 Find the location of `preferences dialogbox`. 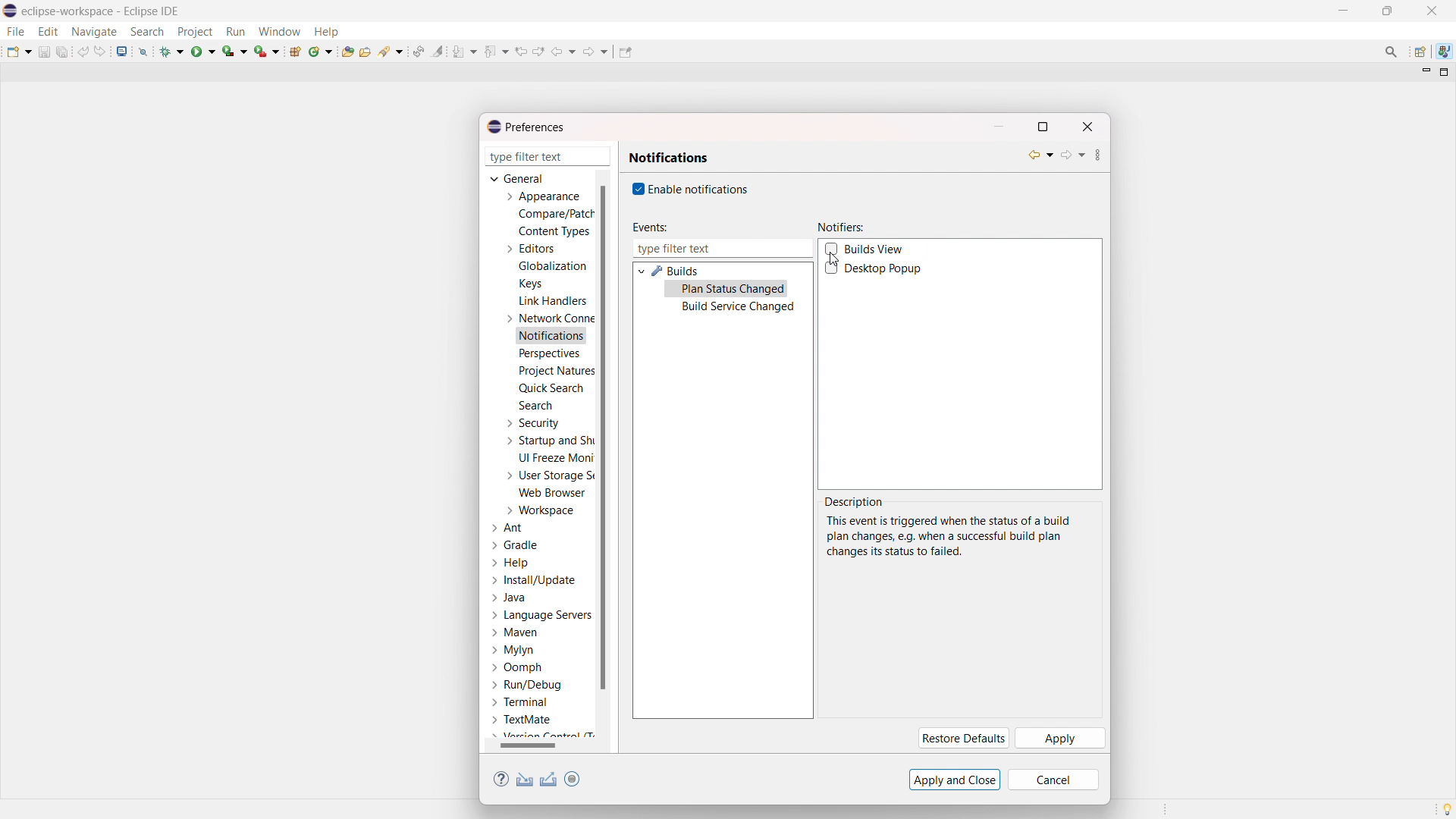

preferences dialogbox is located at coordinates (525, 127).